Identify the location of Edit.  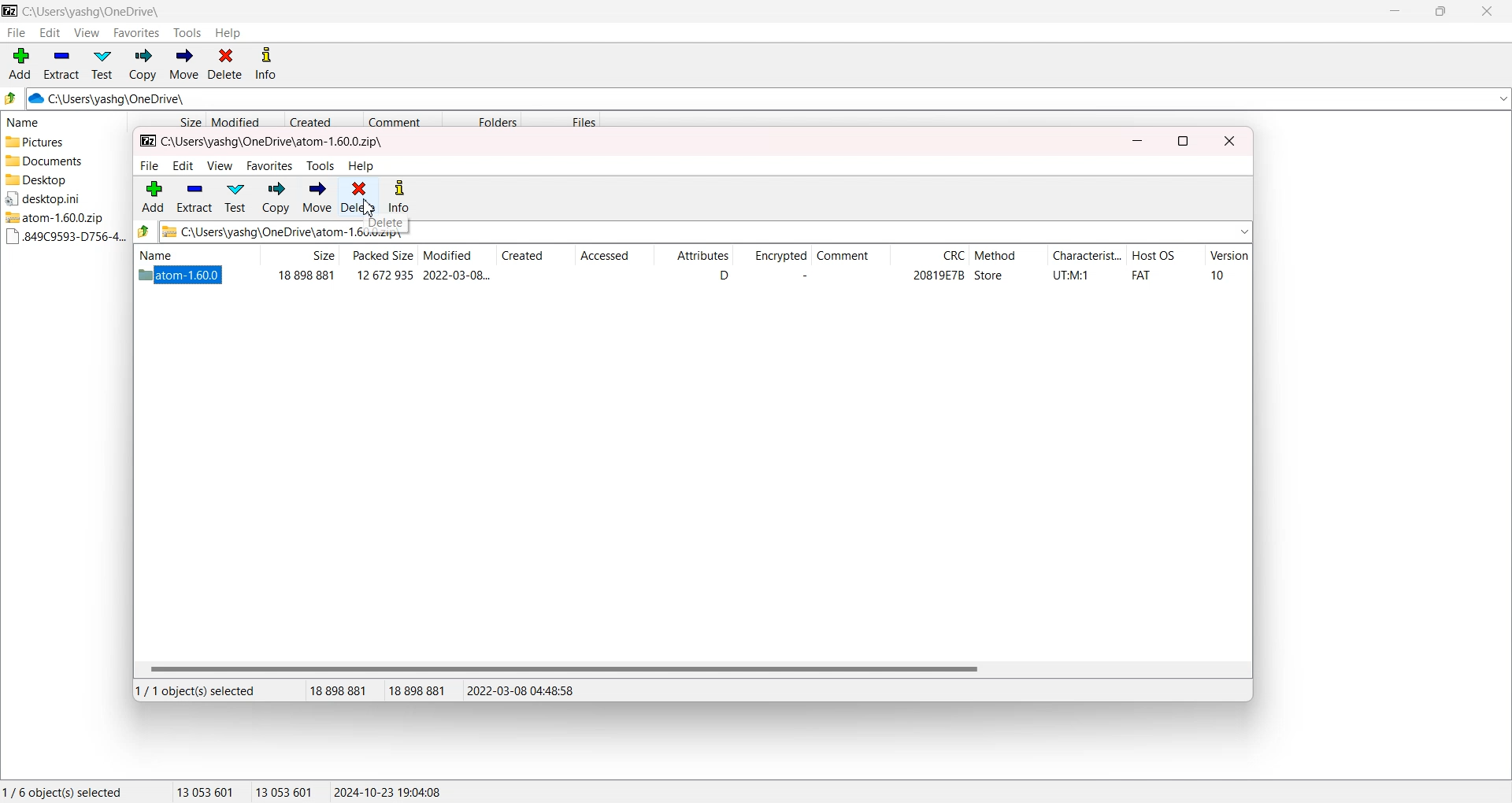
(50, 32).